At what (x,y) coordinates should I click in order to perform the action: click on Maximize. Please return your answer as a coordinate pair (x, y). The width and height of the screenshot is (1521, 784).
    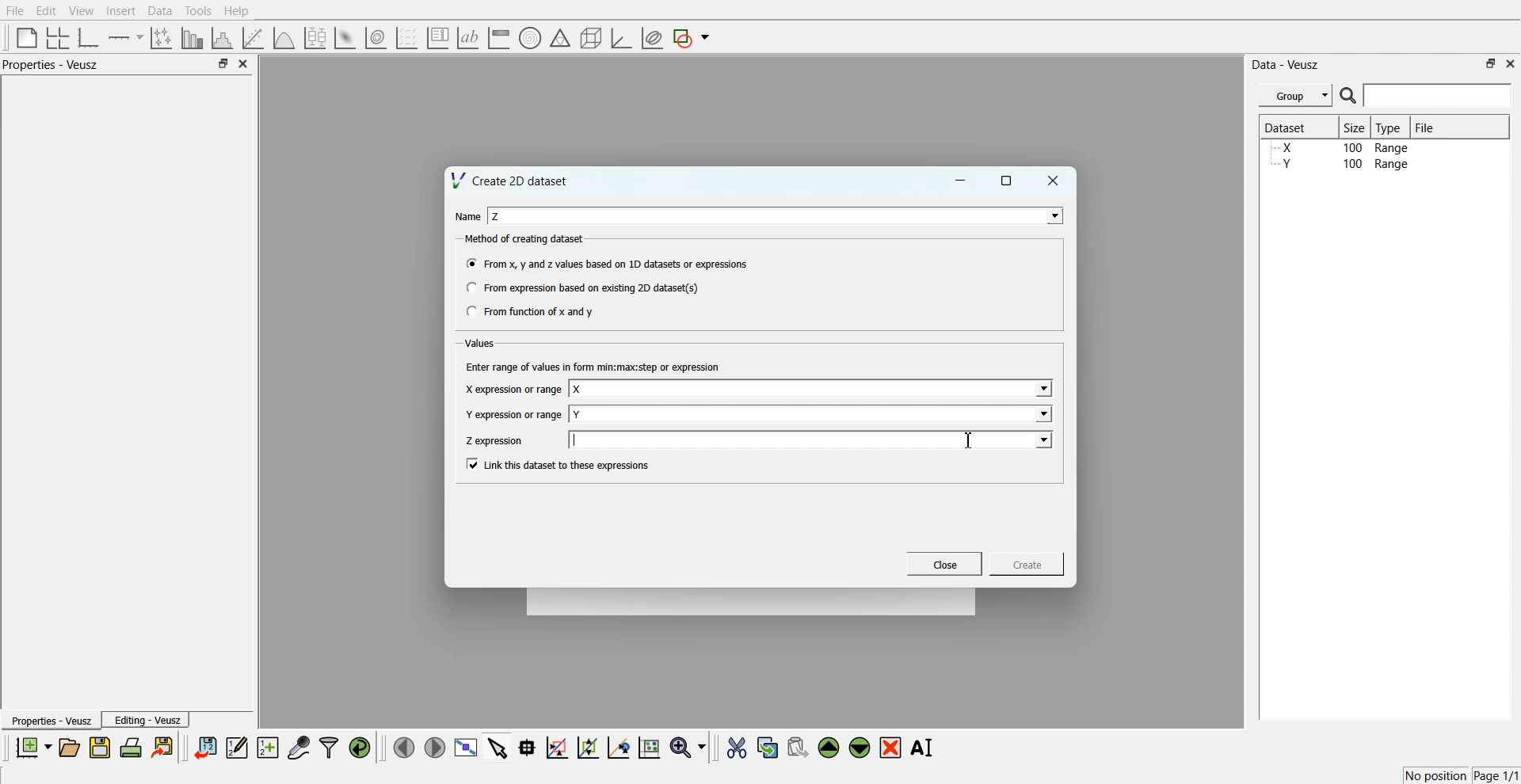
    Looking at the image, I should click on (223, 63).